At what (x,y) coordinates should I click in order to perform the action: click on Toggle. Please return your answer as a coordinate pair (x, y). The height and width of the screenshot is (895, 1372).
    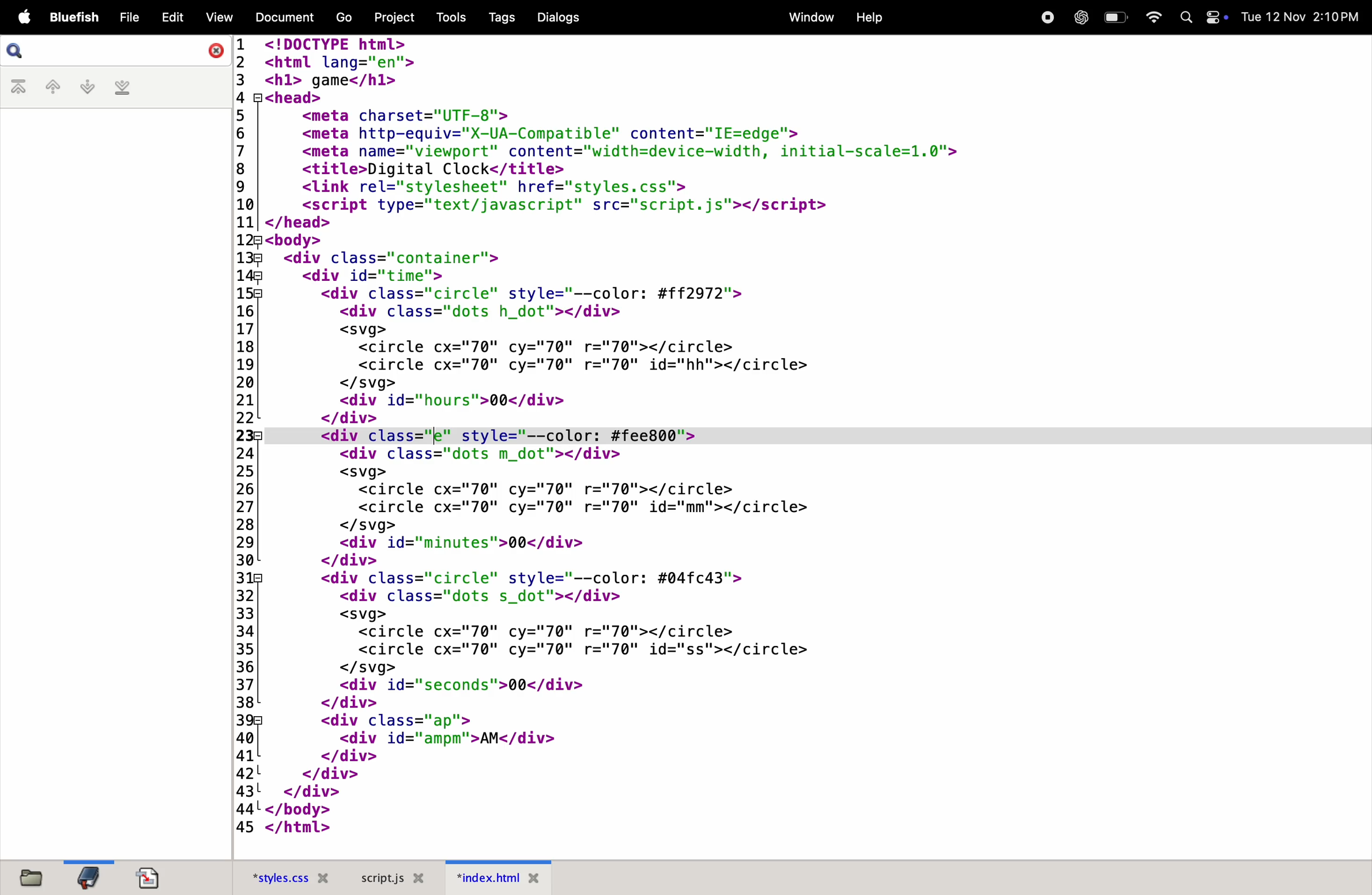
    Looking at the image, I should click on (1217, 17).